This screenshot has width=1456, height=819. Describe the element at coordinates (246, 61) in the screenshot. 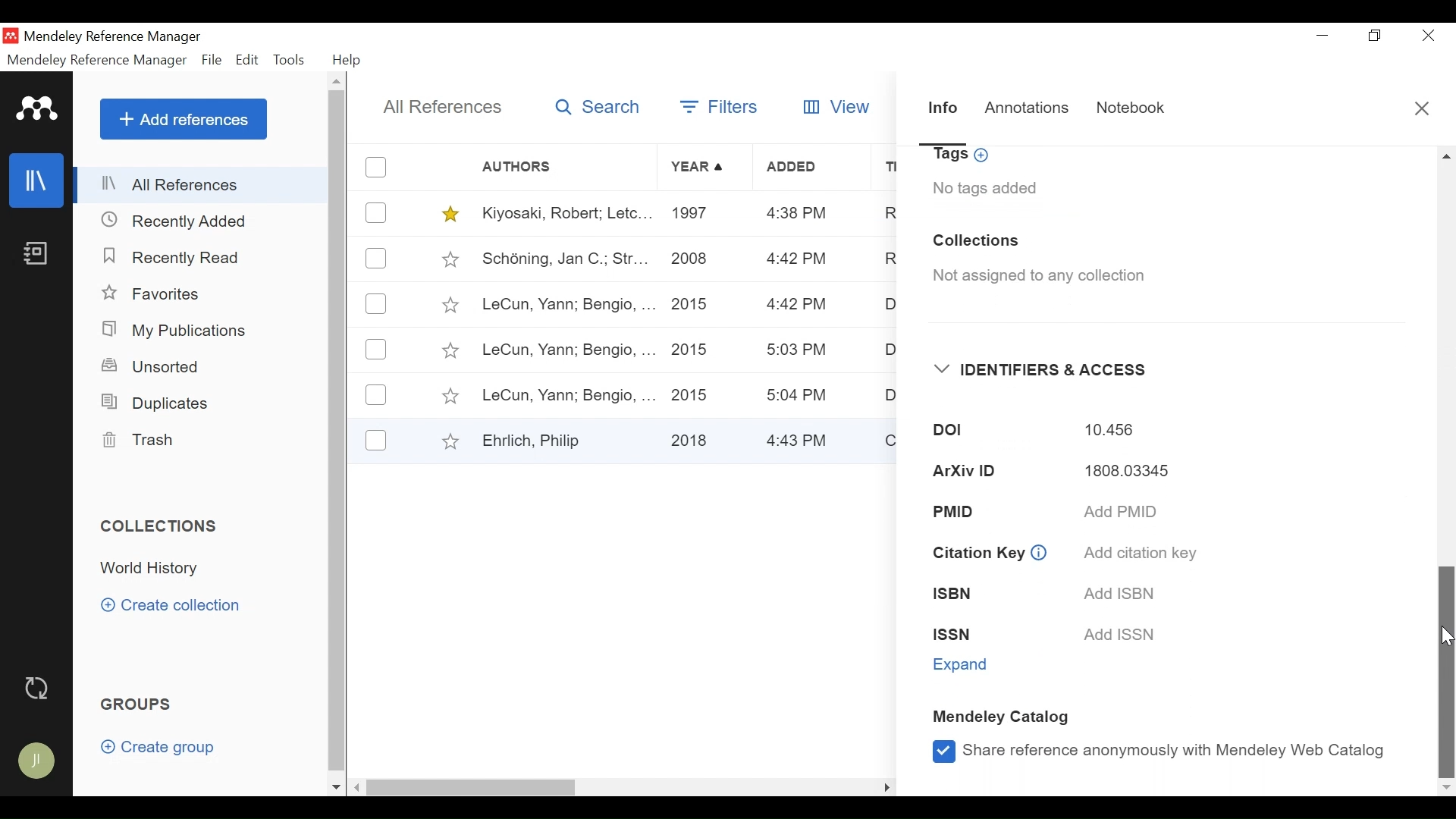

I see `Edit` at that location.